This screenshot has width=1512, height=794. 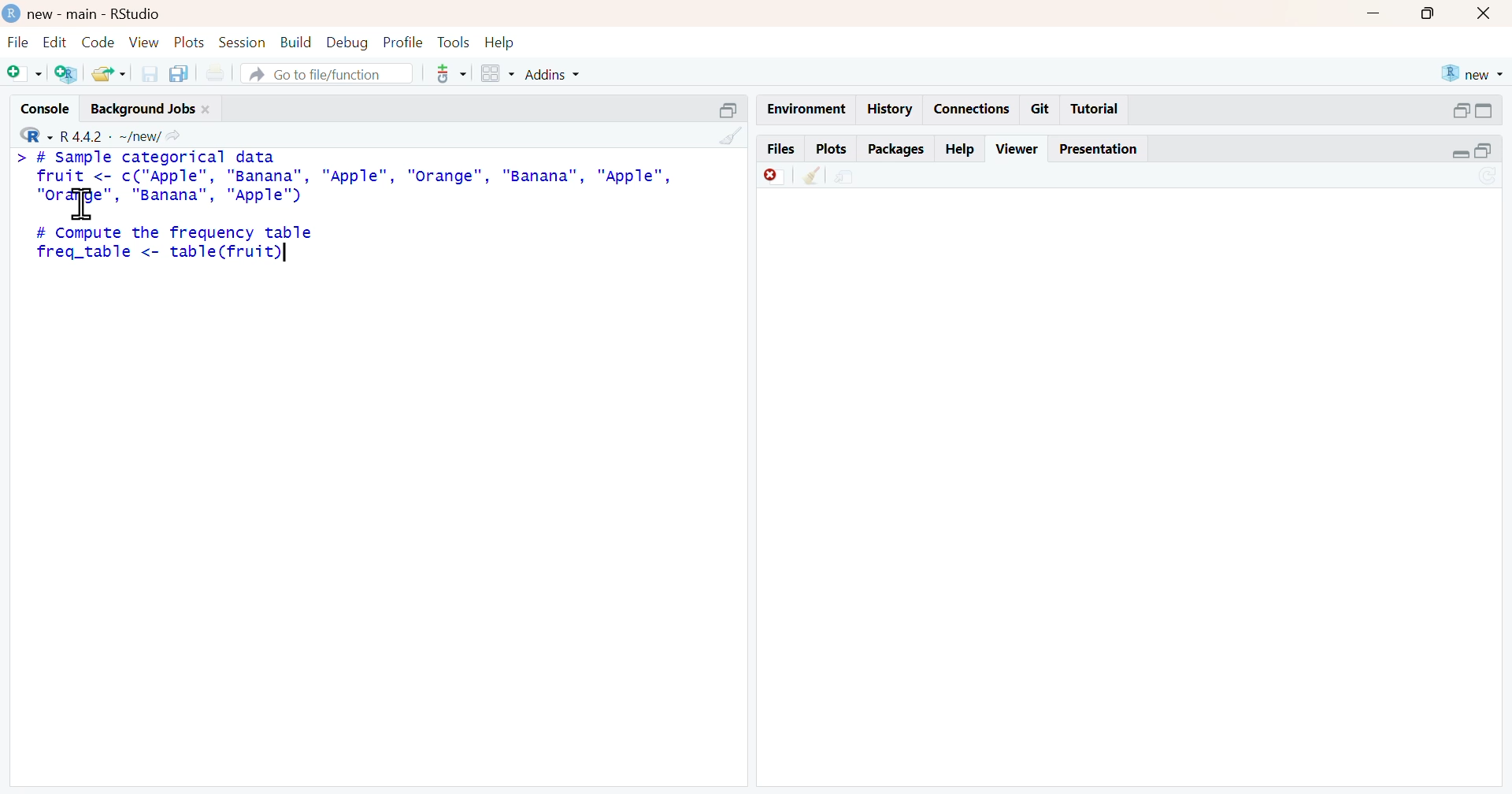 What do you see at coordinates (83, 14) in the screenshot?
I see `new - main - RStudio` at bounding box center [83, 14].